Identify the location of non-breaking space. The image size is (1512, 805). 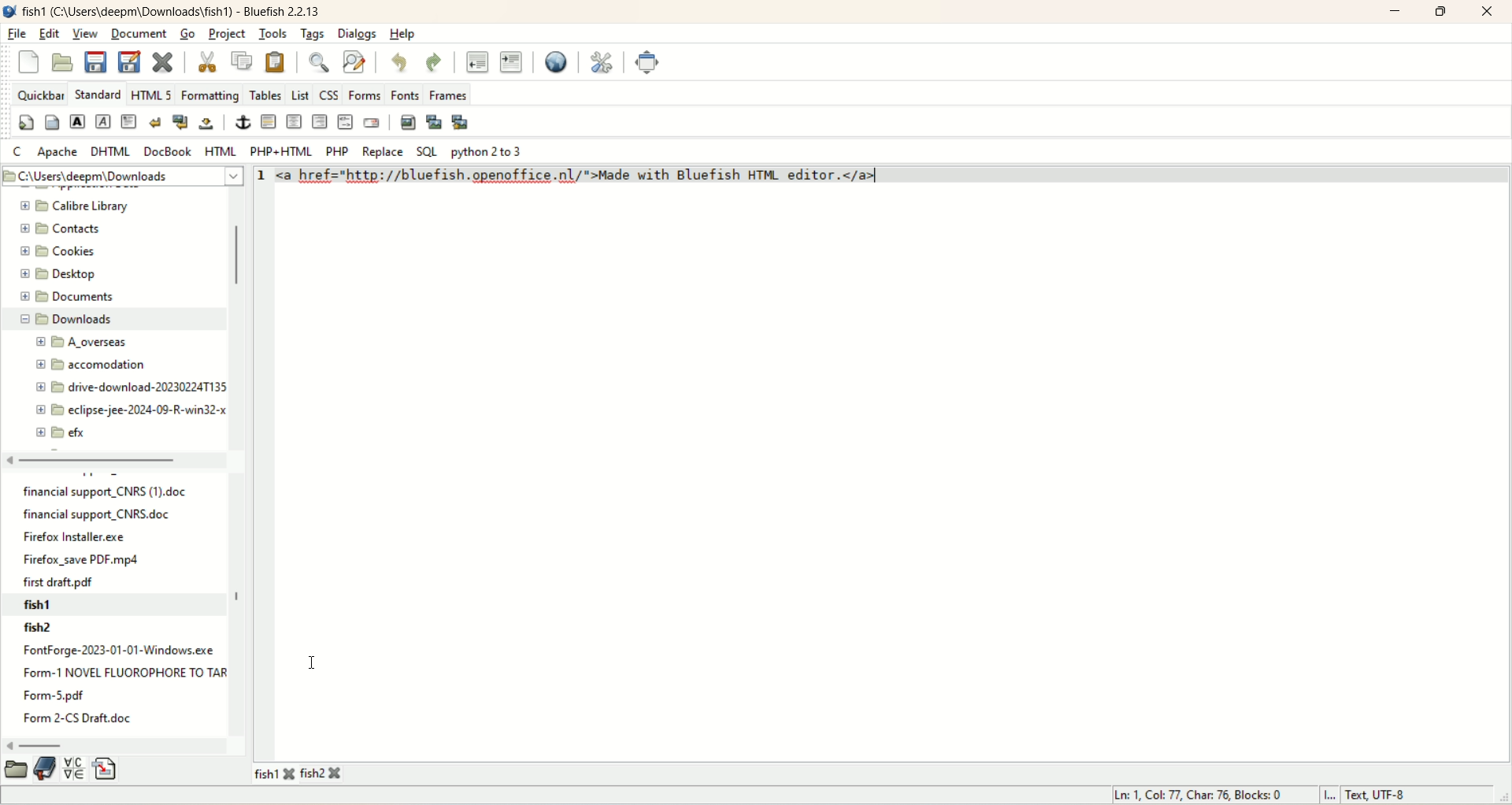
(204, 123).